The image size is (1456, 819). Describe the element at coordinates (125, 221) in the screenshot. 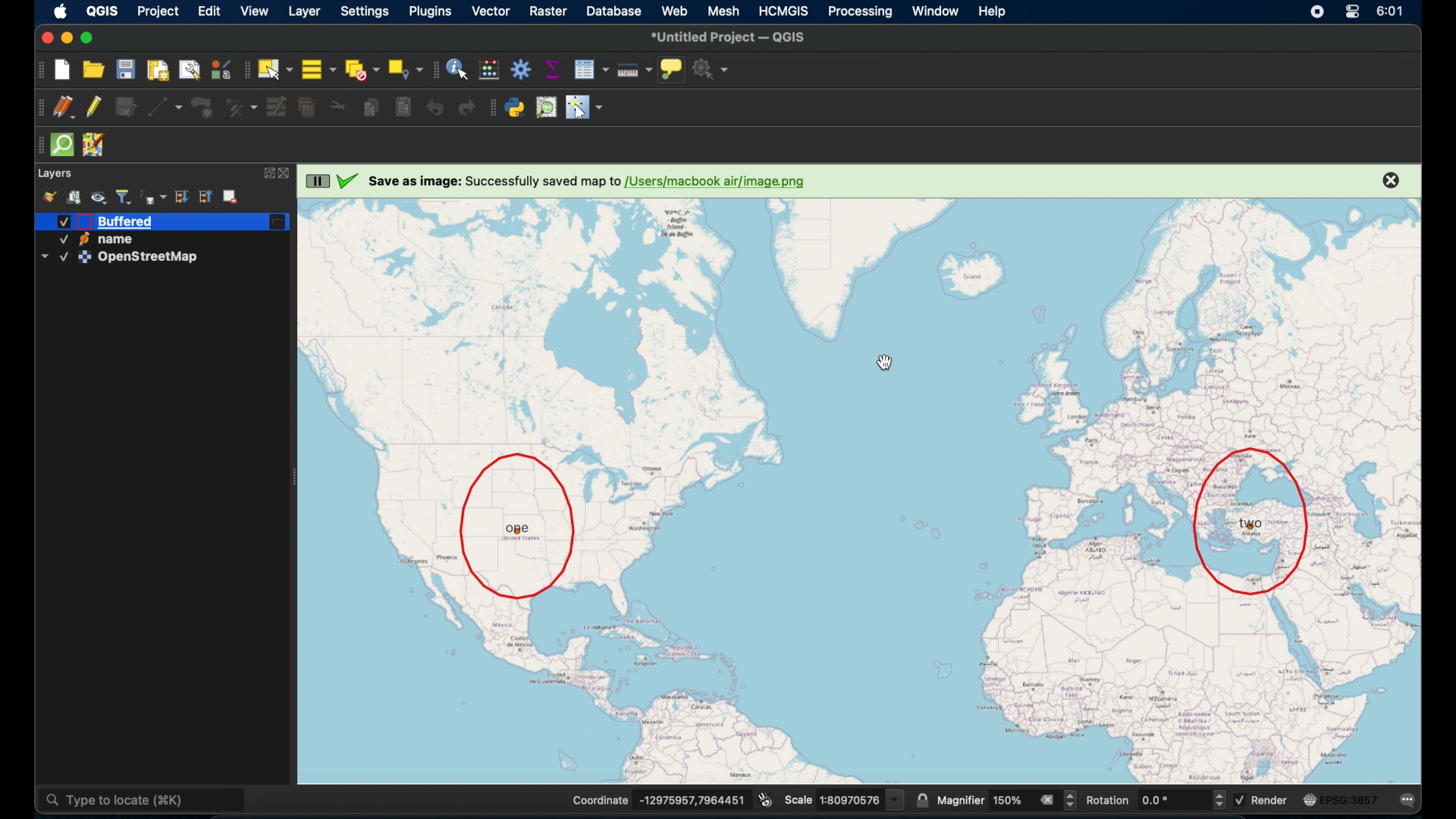

I see `buffered` at that location.